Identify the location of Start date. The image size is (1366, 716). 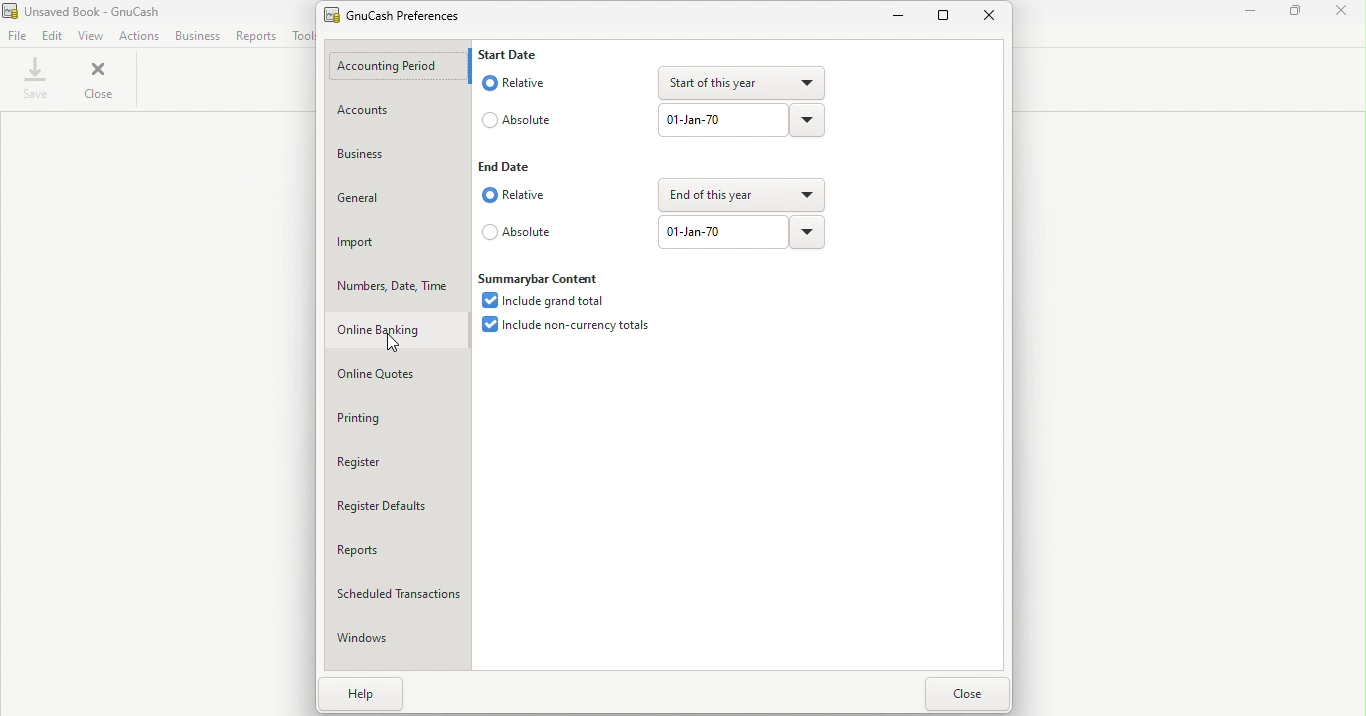
(516, 55).